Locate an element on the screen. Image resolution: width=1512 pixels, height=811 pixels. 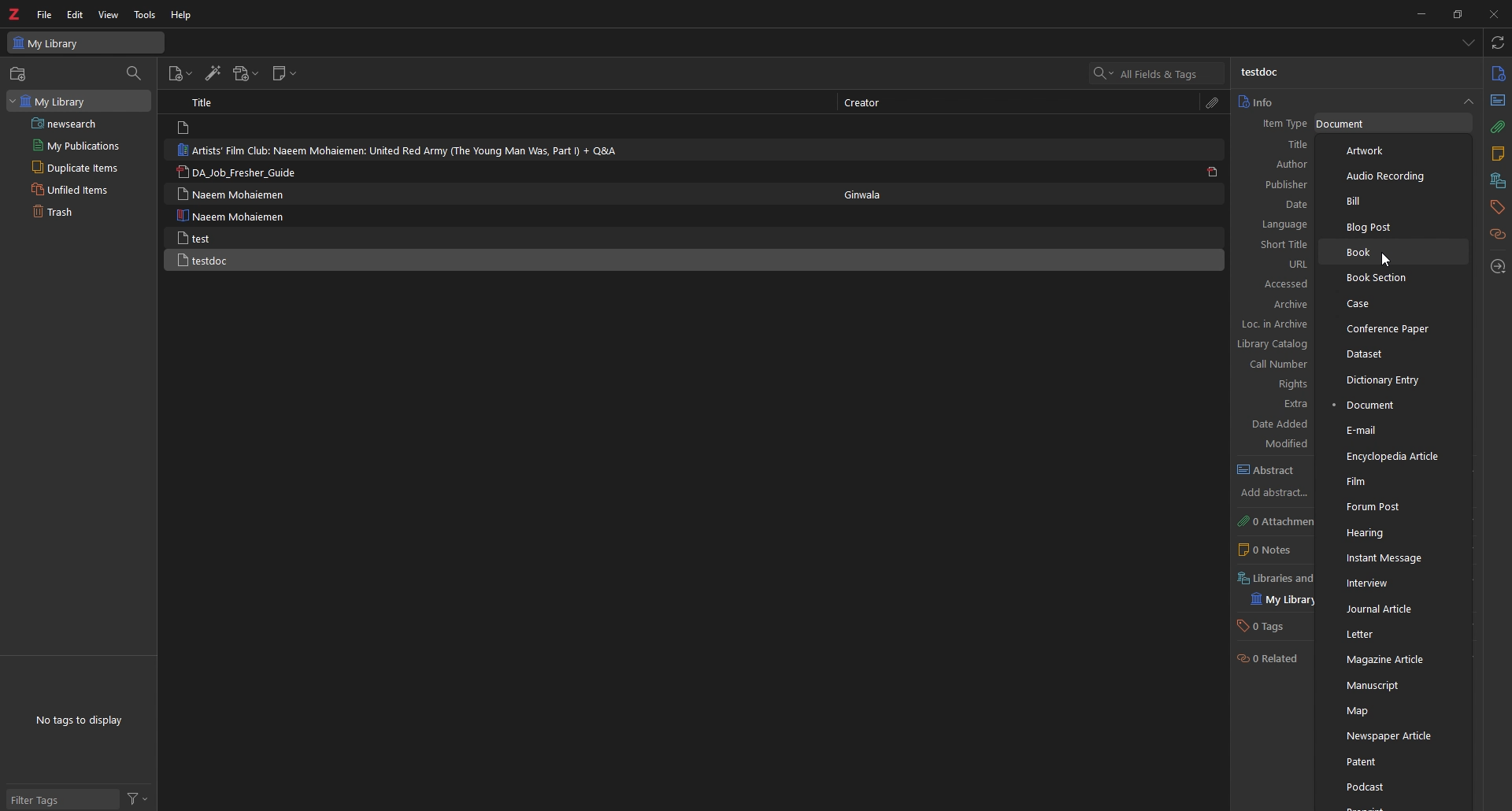
testdoc is located at coordinates (235, 260).